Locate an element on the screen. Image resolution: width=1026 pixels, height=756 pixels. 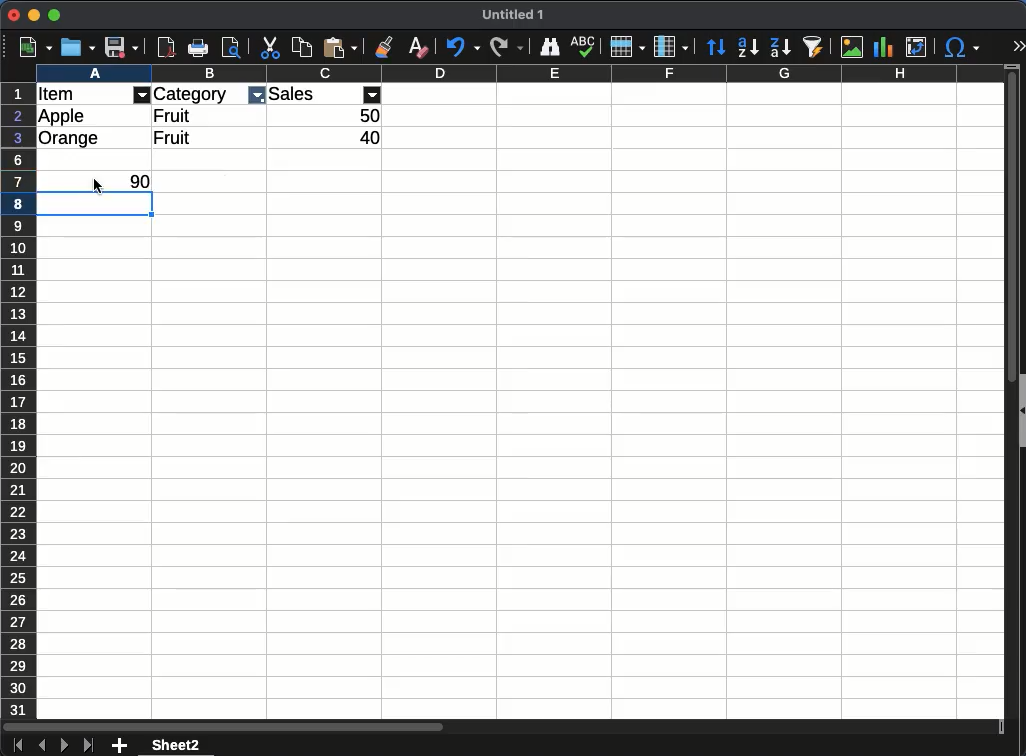
Untitled 1 - name is located at coordinates (513, 15).